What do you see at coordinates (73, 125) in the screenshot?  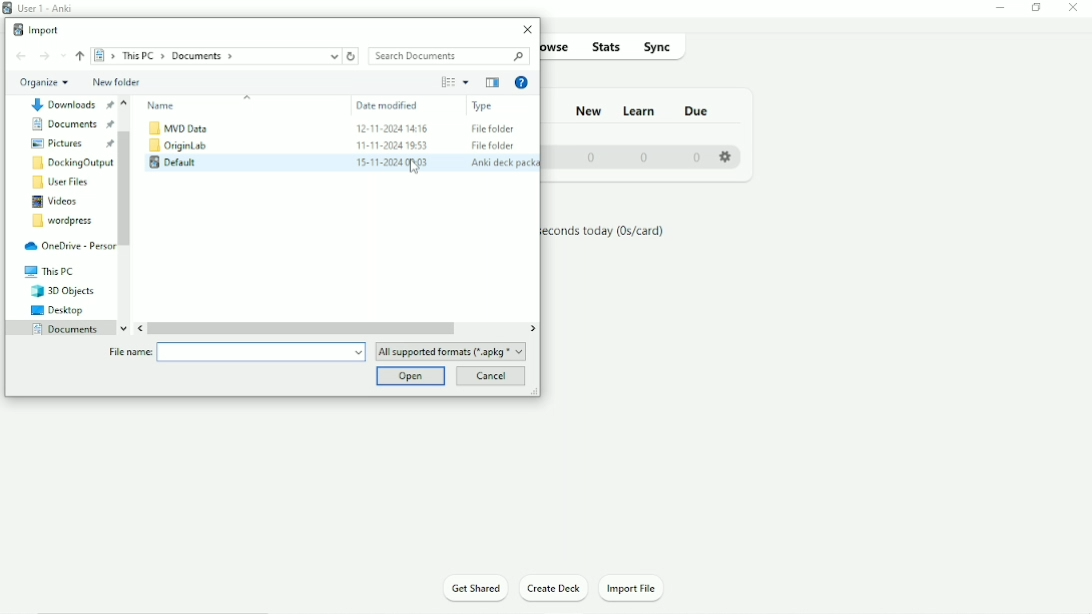 I see `Documents` at bounding box center [73, 125].